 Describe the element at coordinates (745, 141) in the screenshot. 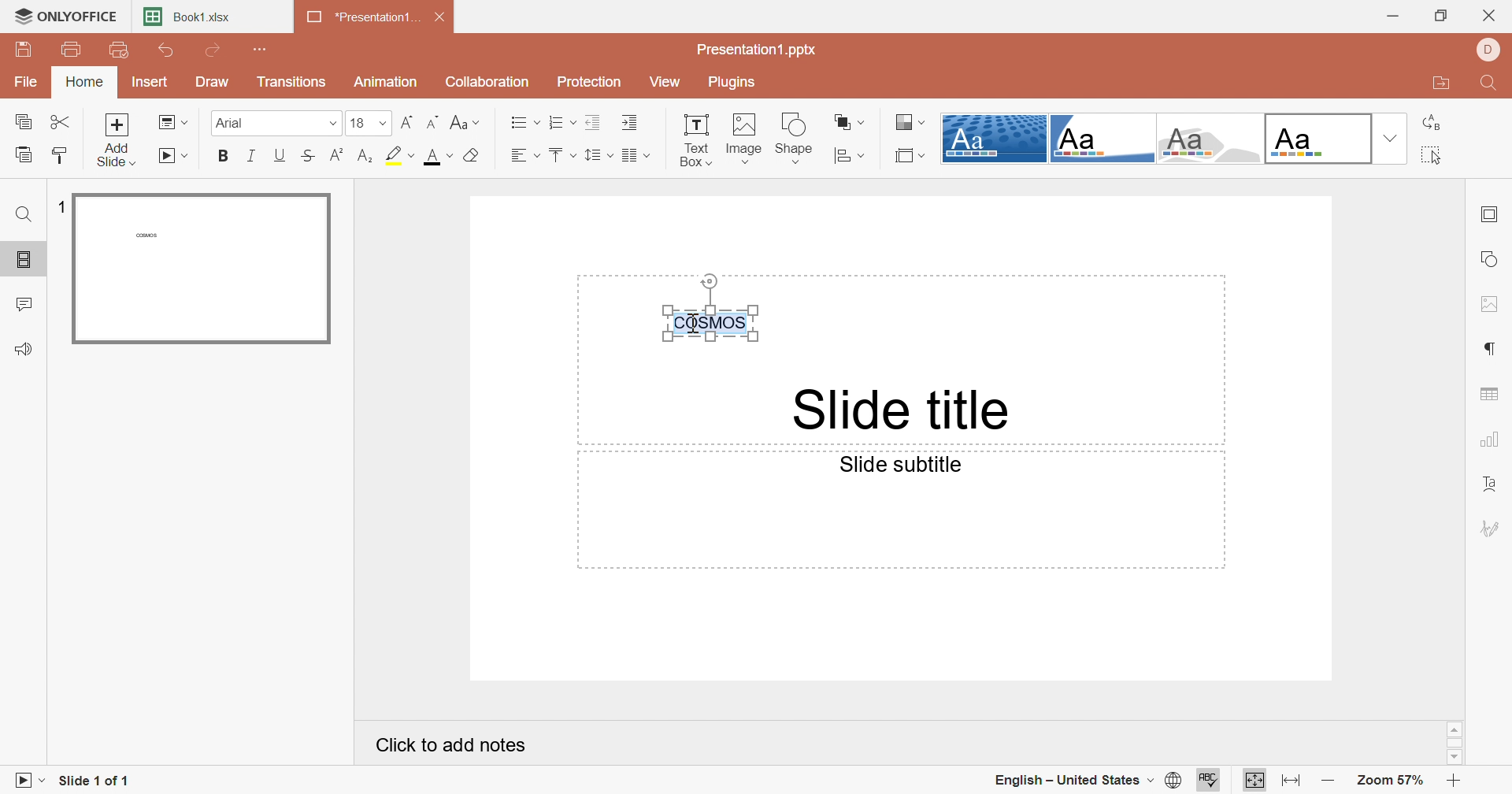

I see `Image` at that location.